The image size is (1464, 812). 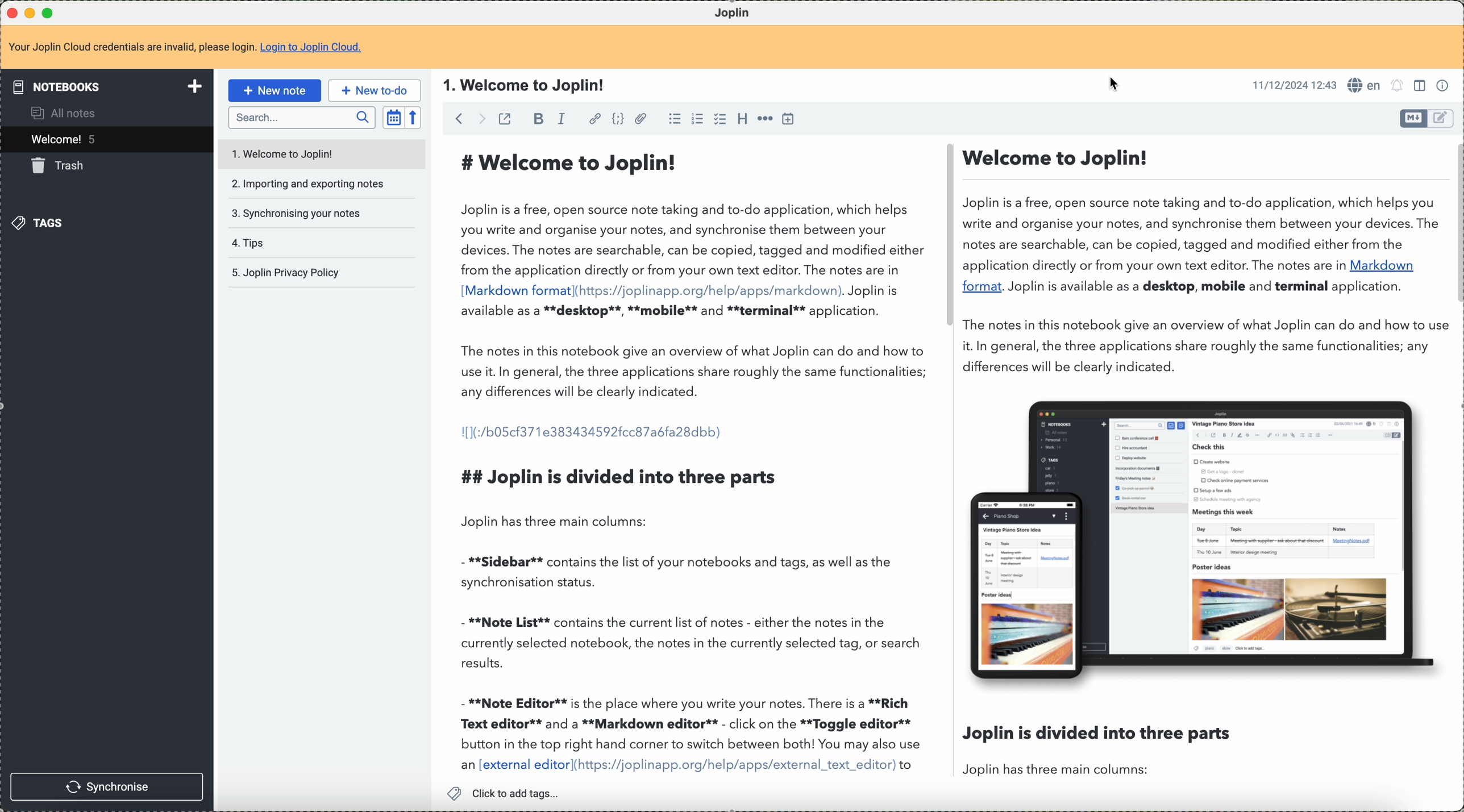 What do you see at coordinates (692, 460) in the screenshot?
I see `# Welcome to Joplin!

Joplin is a free, open source note taking and to-do application, which helps
you write and organise your notes, and synchronise them between your
devices. The notes are searchable, can be copied, tagged and modified either
from the application directly or from your own text editor. The notes are in
[Markdown format|(https://joplinapp.org/help/apps/markdown). Joplin is
available as a **desktop**, **mobile** and **terminal** application.

The notes in this notebook give an overview of what Joplin can do and how to
use it. In general, the three applications share roughly the same functionalities;
any differences will be clearly indicated.
I[(:/b05cf371e383434592fcc87a6fa28dbb)

## Joplin is divided into three parts

Joplin has three main columns:

- **Sidebar** contains the list of your notebooks and tags, as well as the
synchronisation status.

- **Note List** contains the current list of notes - either the notes in the
currently selected notebook, the notes in the currently selected tag, or search
results.

- **Note Editor** is the place where you write your notes. There is a **Rich
Text editor** and a **Markdown editor** - click on the **Toggle editor**
button in the top right hand corner to switch between both! You may also use
an lexternal editor!(https://ioplinapp.ora/help/apps/external text editor) to` at bounding box center [692, 460].